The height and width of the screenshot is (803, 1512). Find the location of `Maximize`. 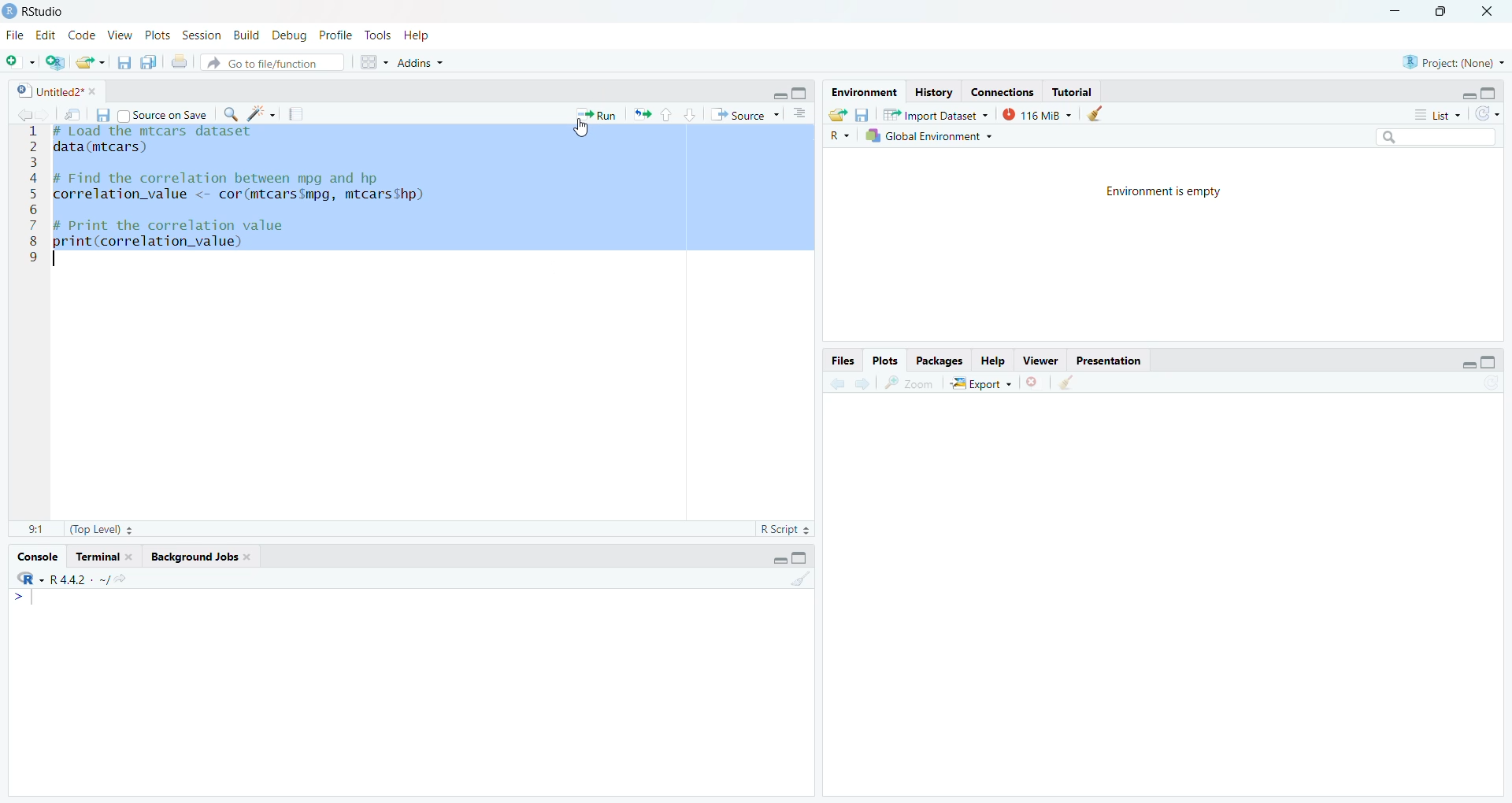

Maximize is located at coordinates (803, 557).